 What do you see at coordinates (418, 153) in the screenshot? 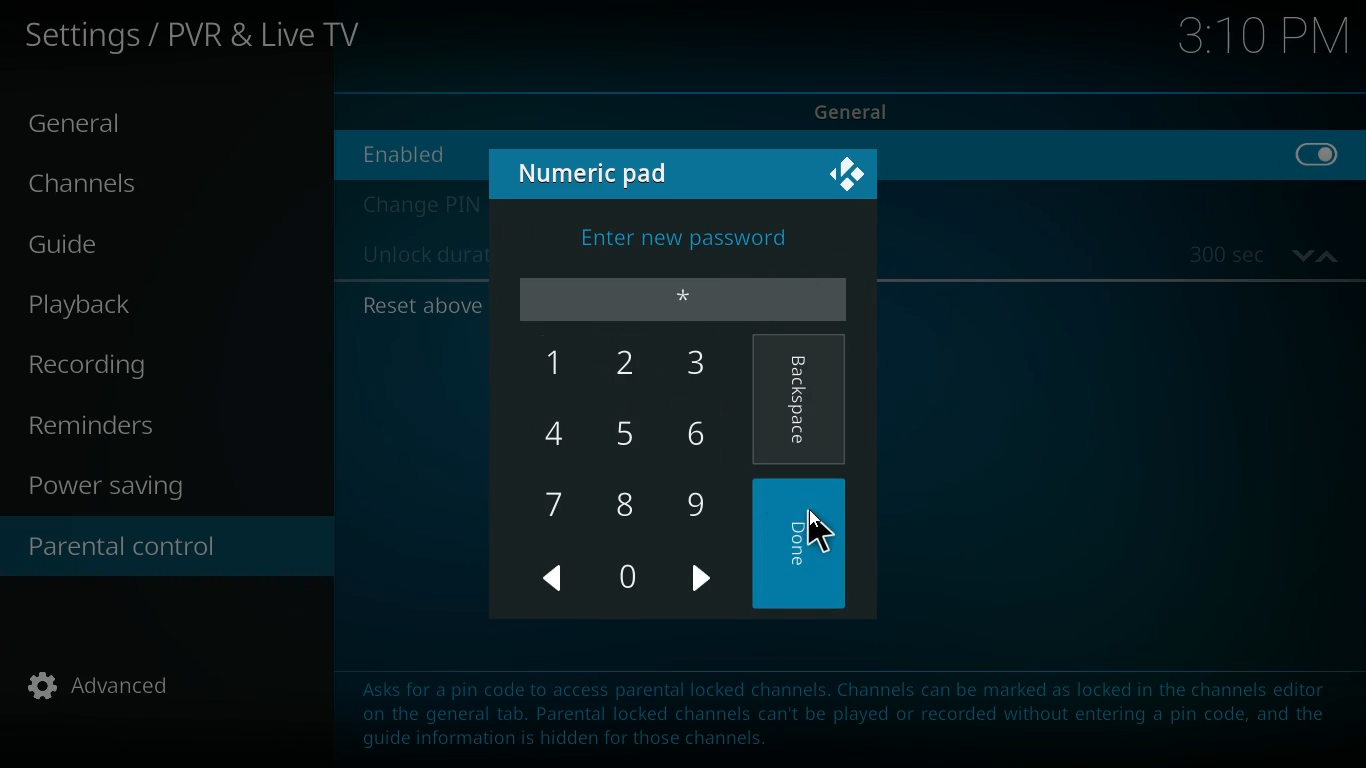
I see `enabled` at bounding box center [418, 153].